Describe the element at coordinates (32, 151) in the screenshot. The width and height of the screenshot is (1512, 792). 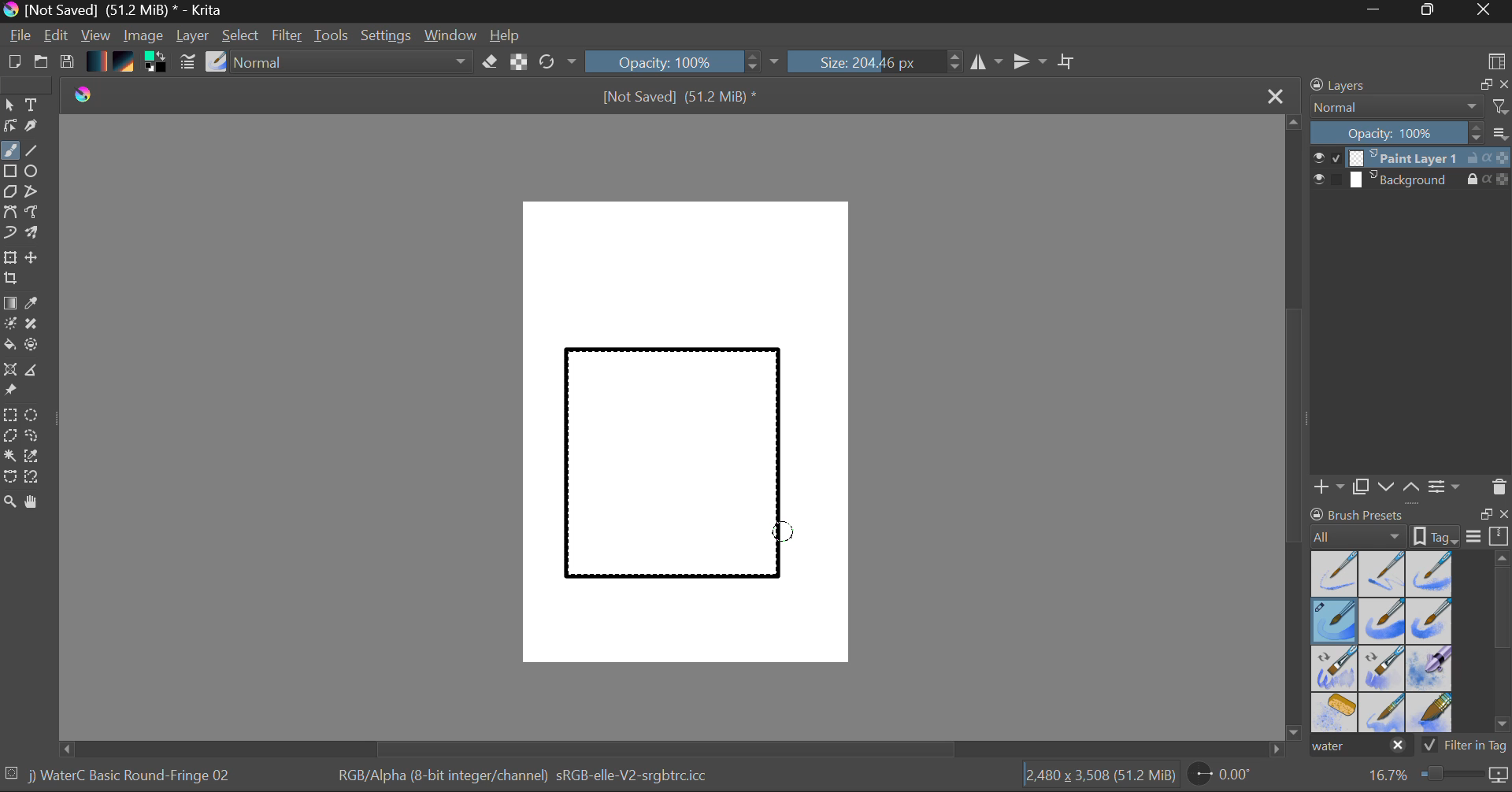
I see `Line` at that location.